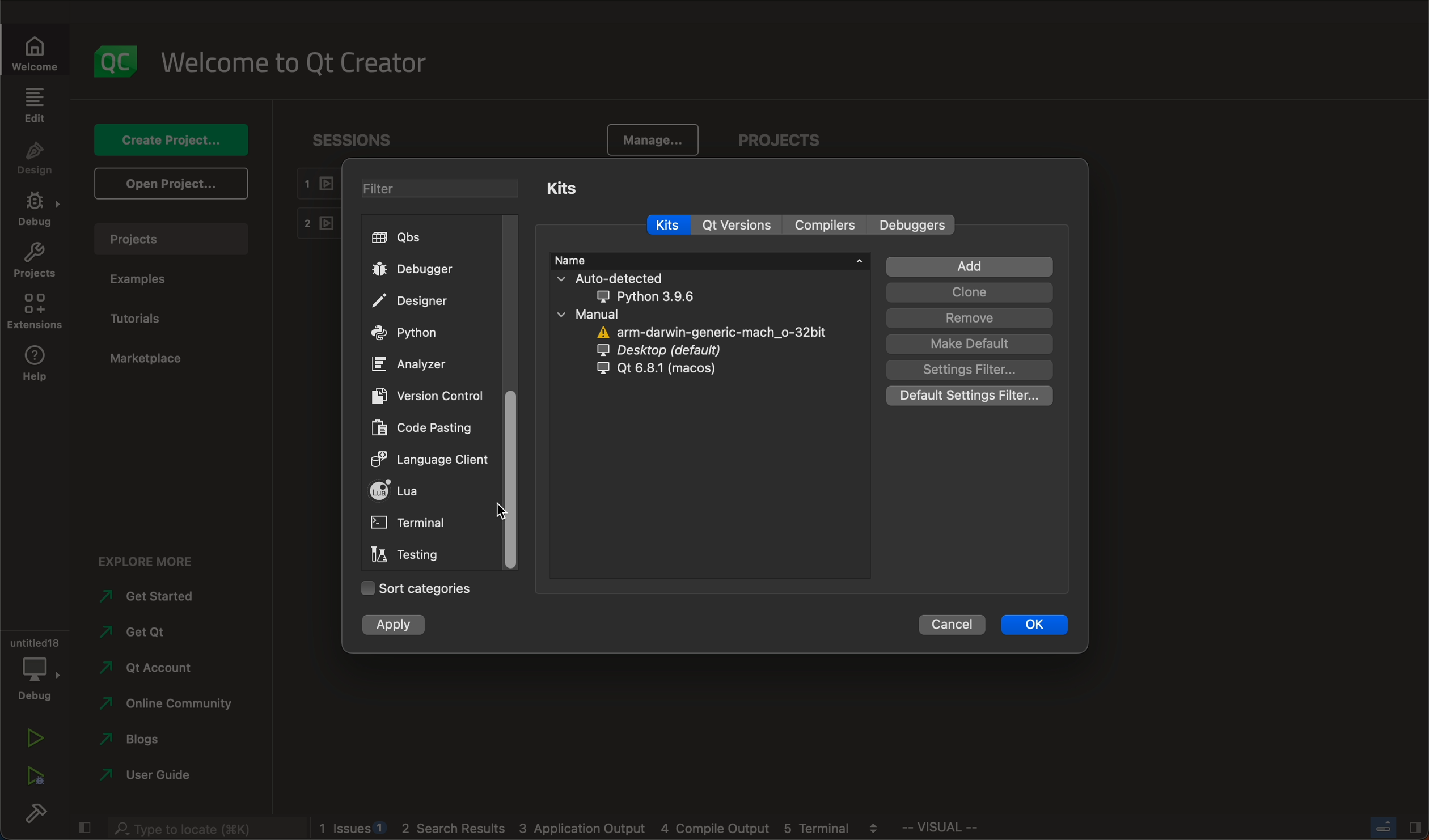 The width and height of the screenshot is (1429, 840). What do you see at coordinates (35, 262) in the screenshot?
I see `projects` at bounding box center [35, 262].